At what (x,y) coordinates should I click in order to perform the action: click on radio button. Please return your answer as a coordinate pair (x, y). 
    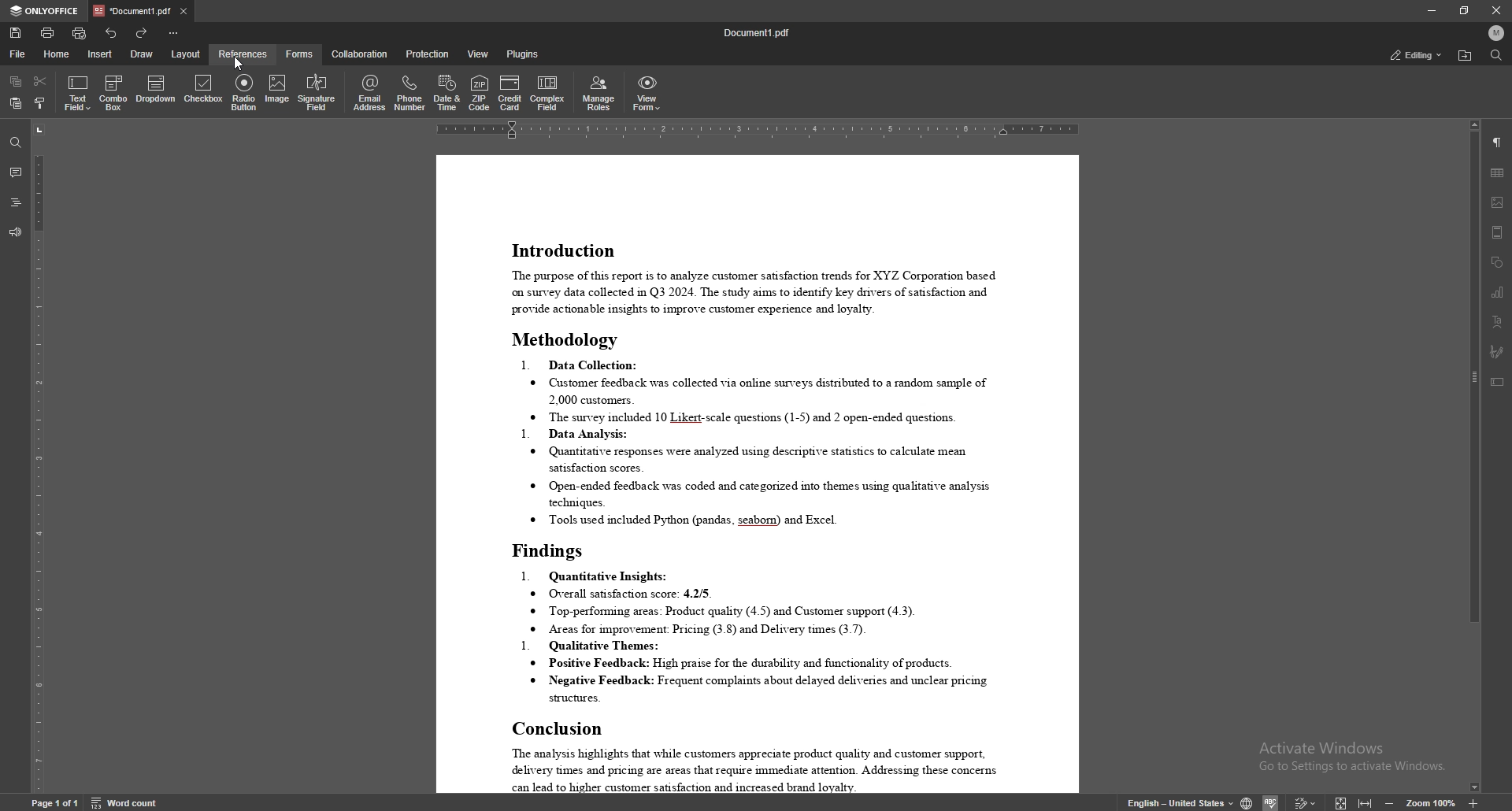
    Looking at the image, I should click on (245, 93).